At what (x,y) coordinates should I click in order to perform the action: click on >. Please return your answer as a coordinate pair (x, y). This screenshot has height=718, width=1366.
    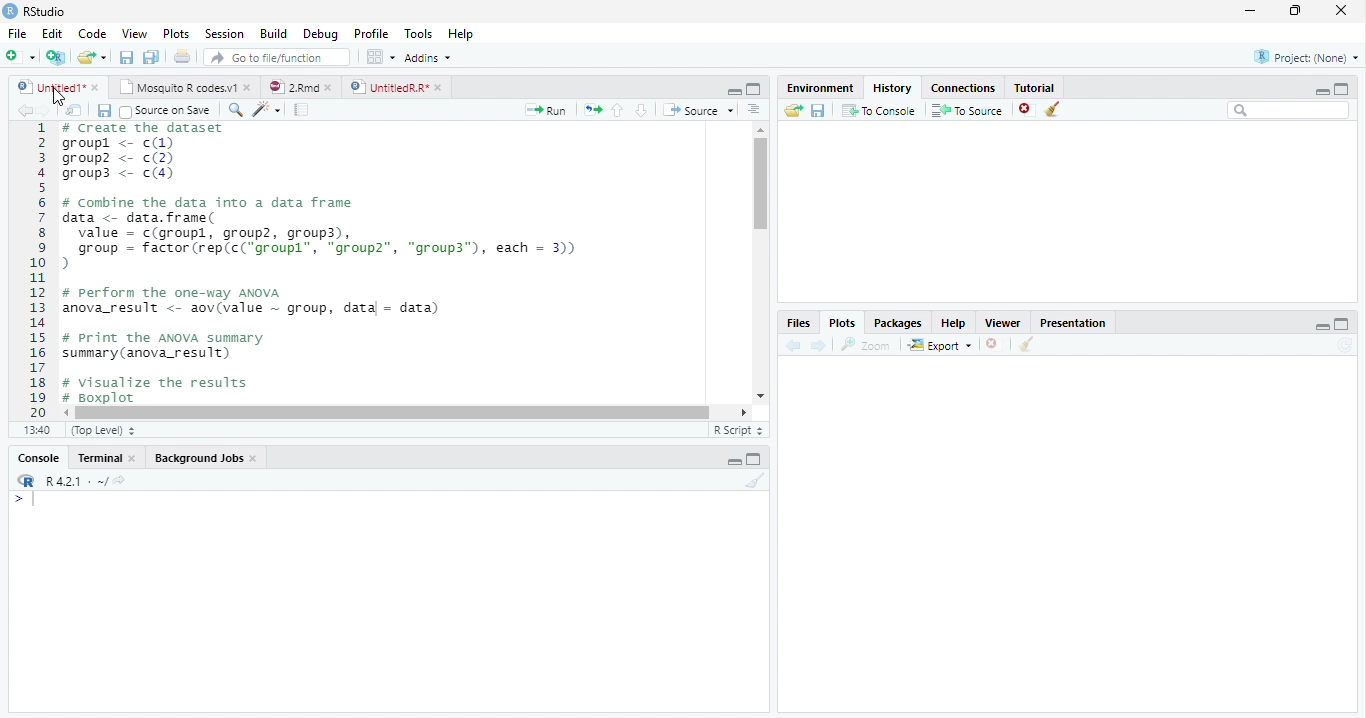
    Looking at the image, I should click on (14, 500).